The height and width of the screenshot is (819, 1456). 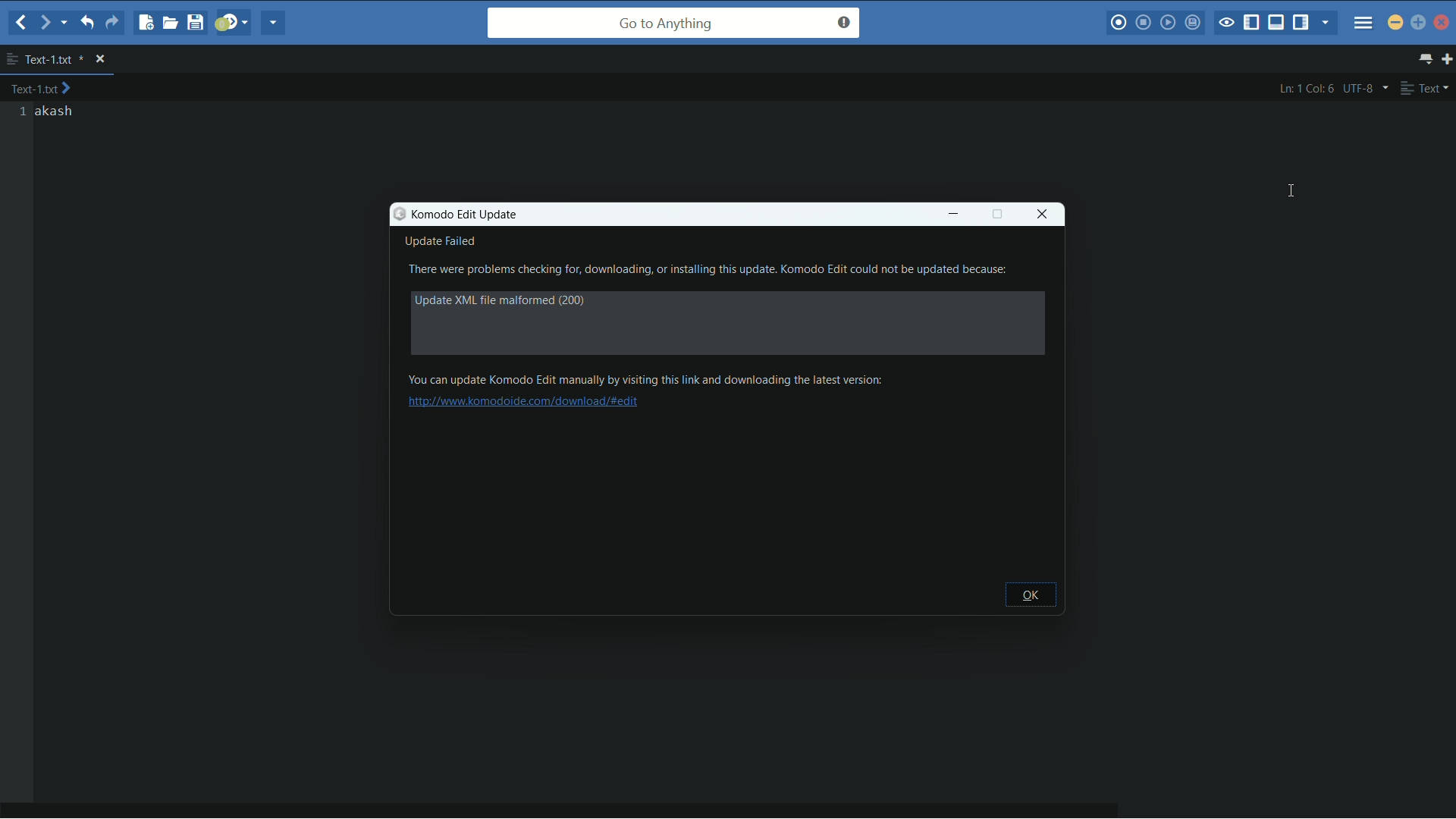 What do you see at coordinates (397, 215) in the screenshot?
I see `icon` at bounding box center [397, 215].